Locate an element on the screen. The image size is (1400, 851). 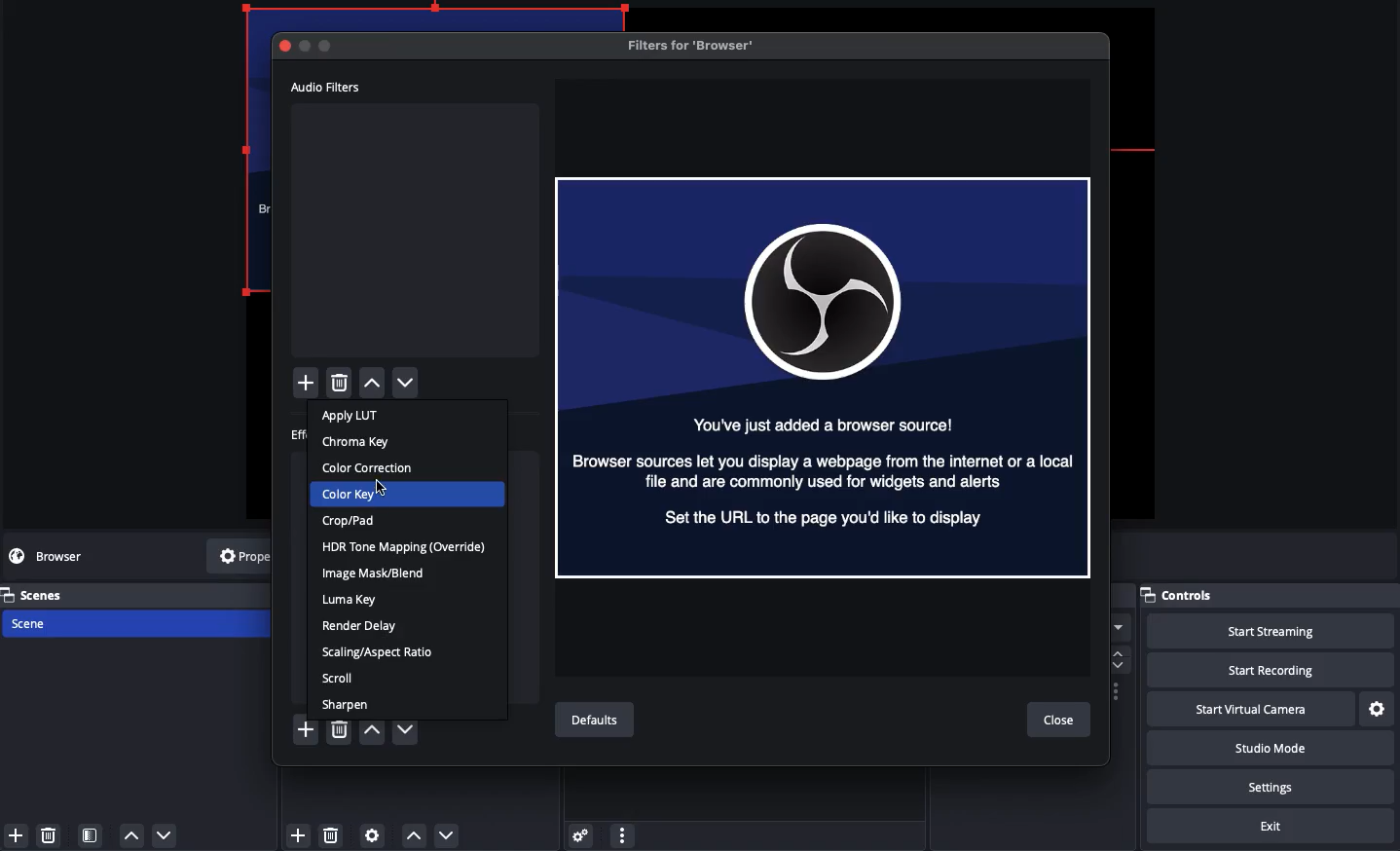
Maximize is located at coordinates (327, 47).